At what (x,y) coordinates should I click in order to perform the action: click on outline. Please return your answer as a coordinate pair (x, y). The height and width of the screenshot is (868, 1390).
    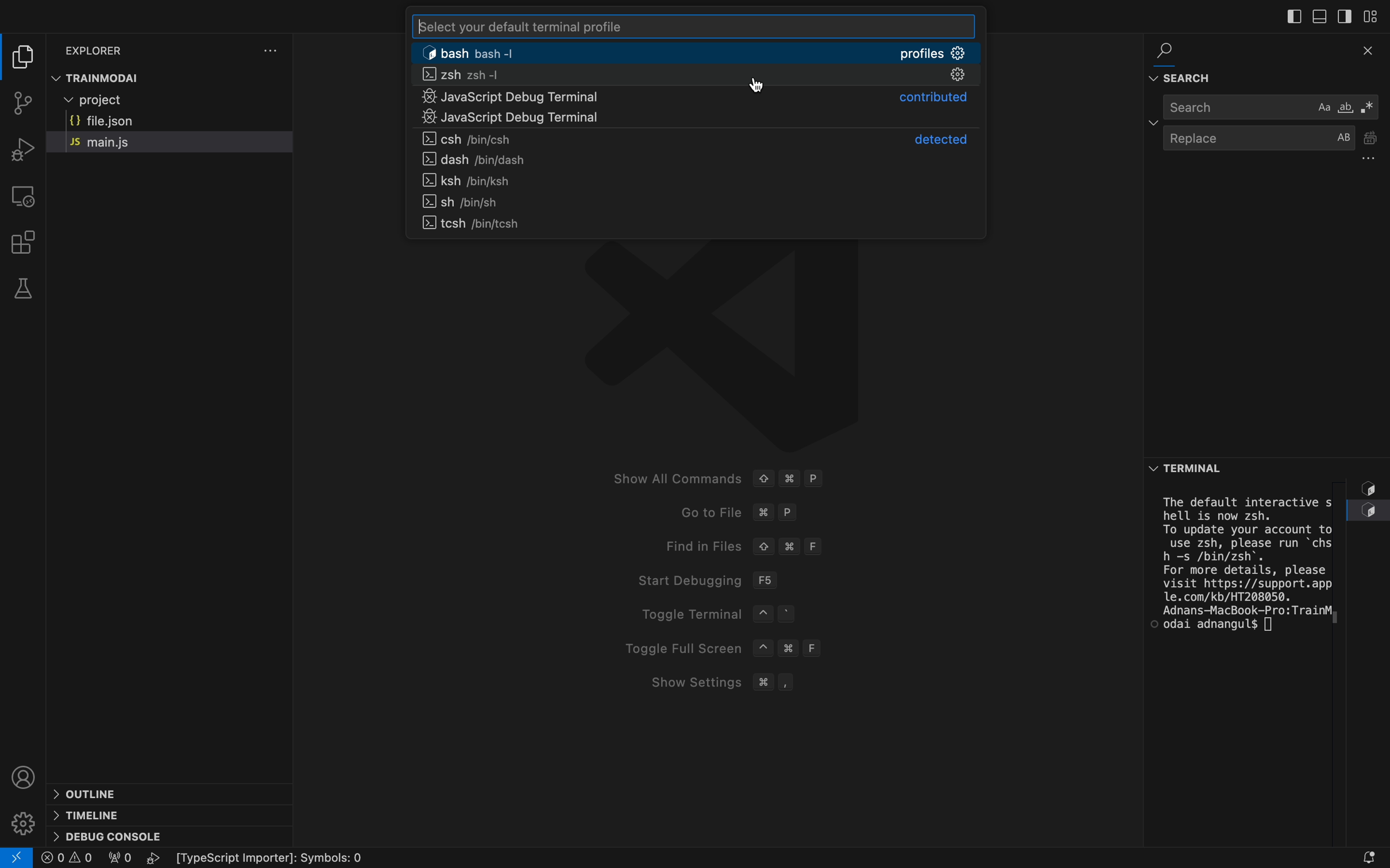
    Looking at the image, I should click on (91, 789).